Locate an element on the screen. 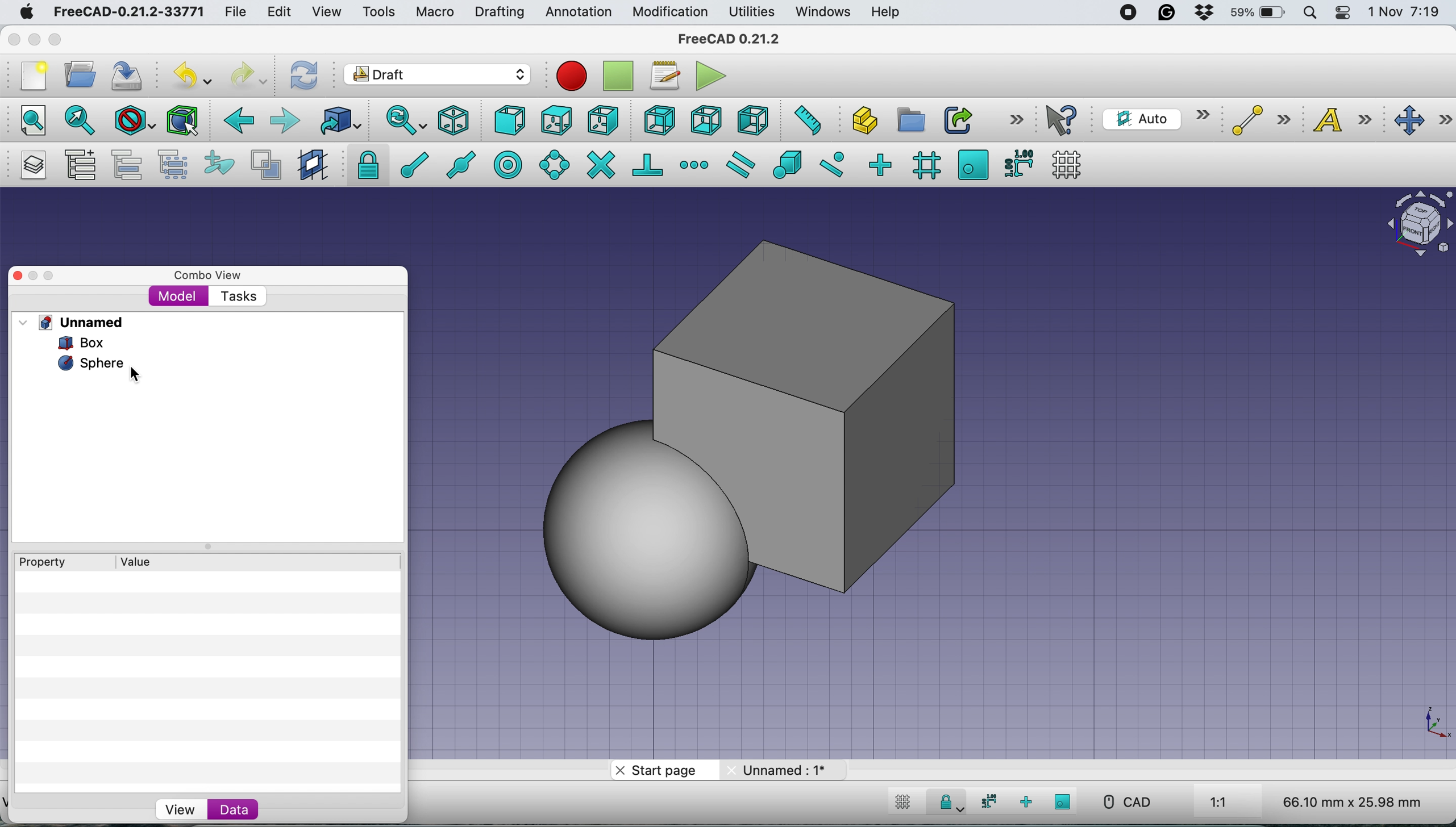 This screenshot has height=827, width=1456. front is located at coordinates (511, 123).